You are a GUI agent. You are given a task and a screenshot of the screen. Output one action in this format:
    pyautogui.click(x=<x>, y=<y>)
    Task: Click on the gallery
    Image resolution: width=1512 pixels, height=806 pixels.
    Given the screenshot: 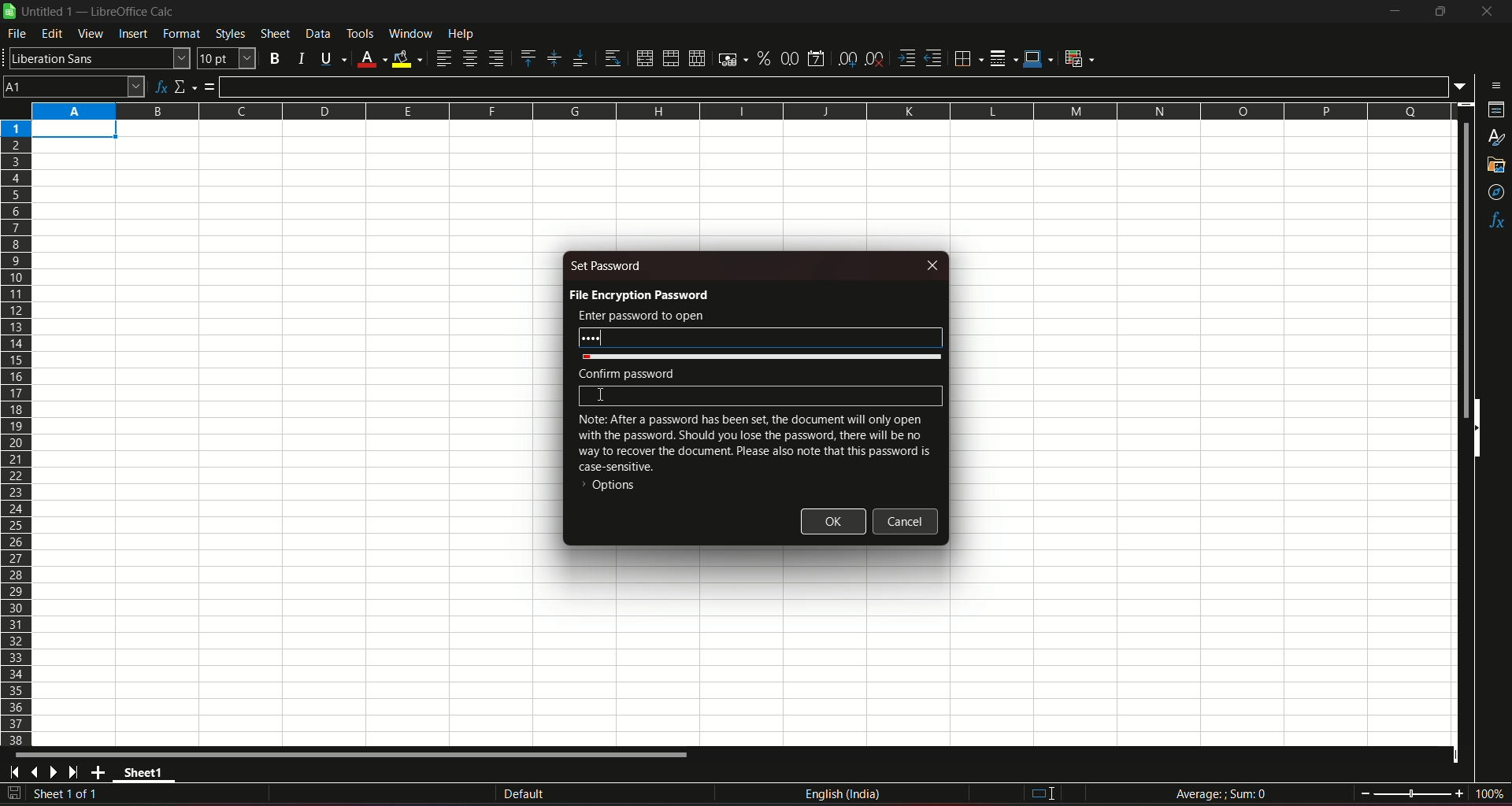 What is the action you would take?
    pyautogui.click(x=1497, y=168)
    